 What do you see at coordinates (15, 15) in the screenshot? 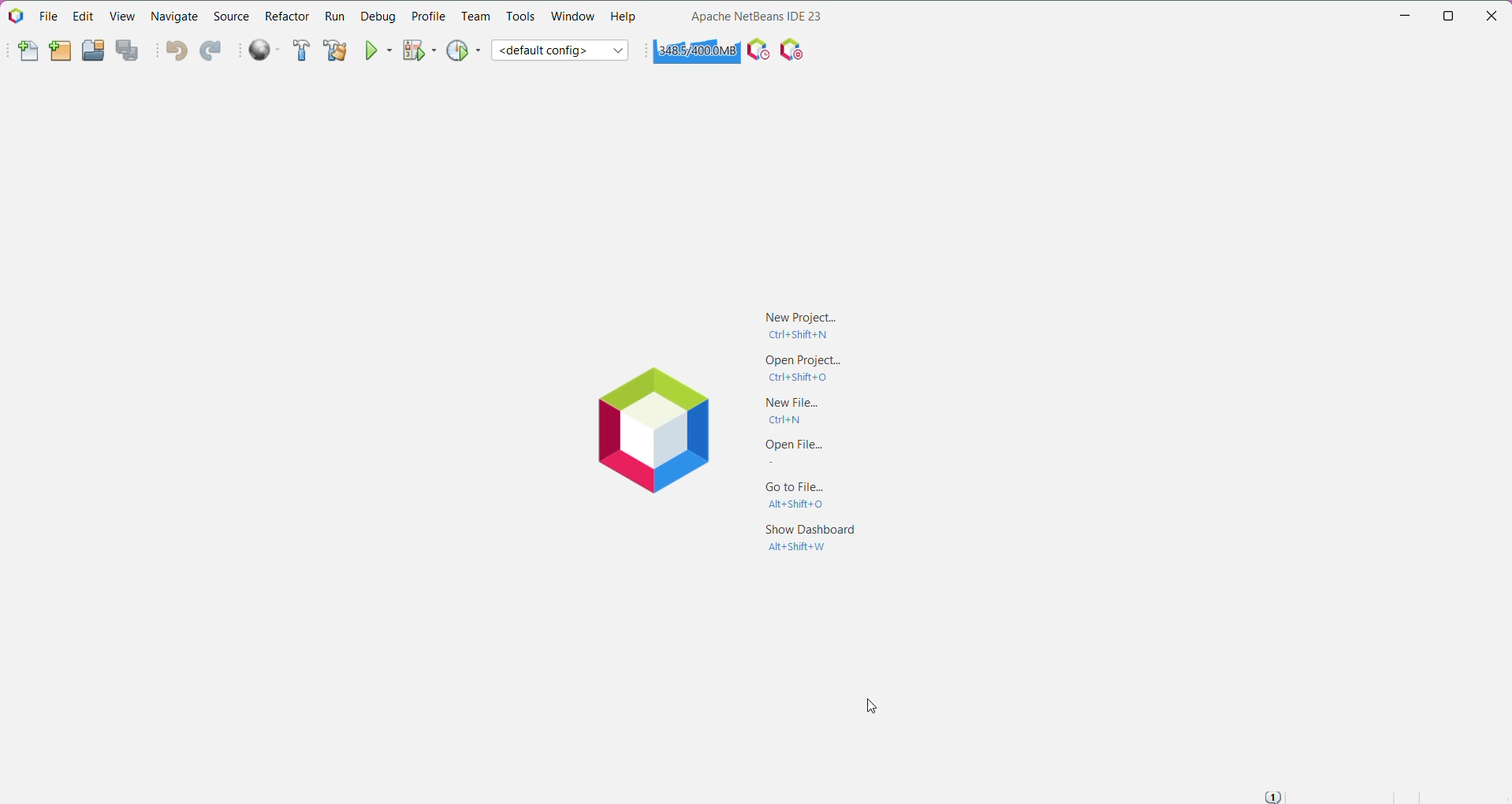
I see `Application Logo` at bounding box center [15, 15].